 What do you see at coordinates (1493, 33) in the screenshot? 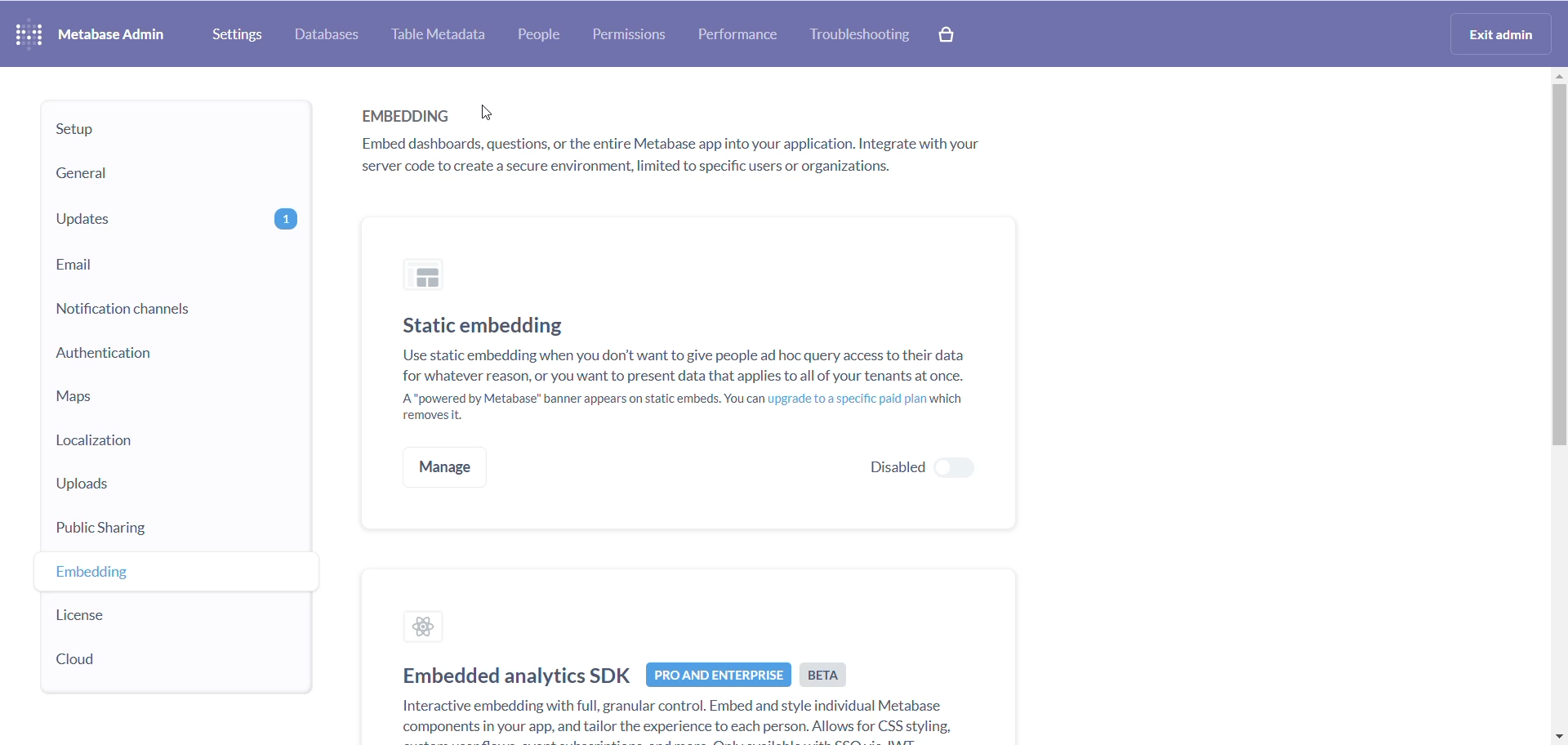
I see `exit admin` at bounding box center [1493, 33].